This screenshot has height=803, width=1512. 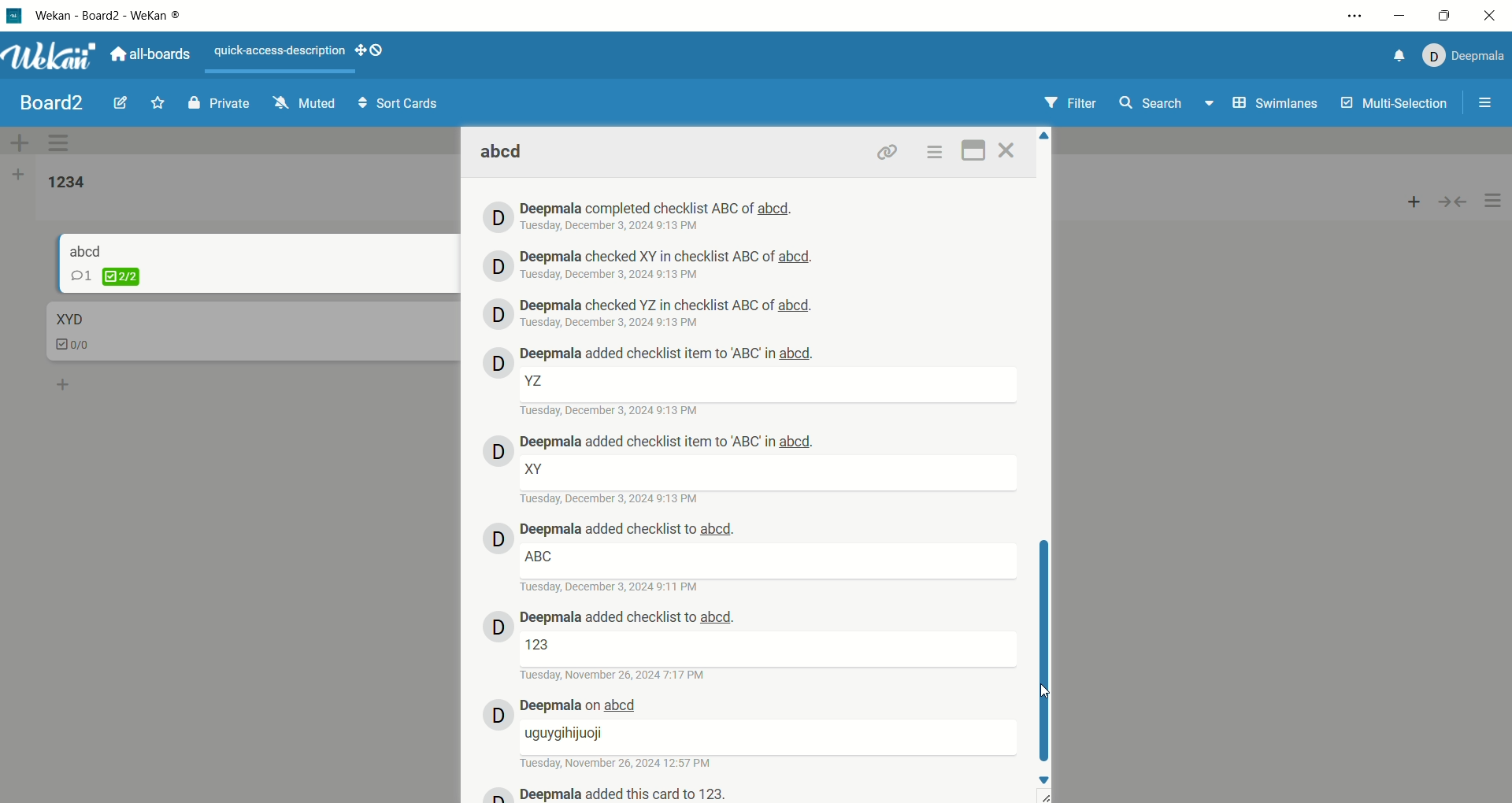 What do you see at coordinates (496, 451) in the screenshot?
I see `avatar` at bounding box center [496, 451].